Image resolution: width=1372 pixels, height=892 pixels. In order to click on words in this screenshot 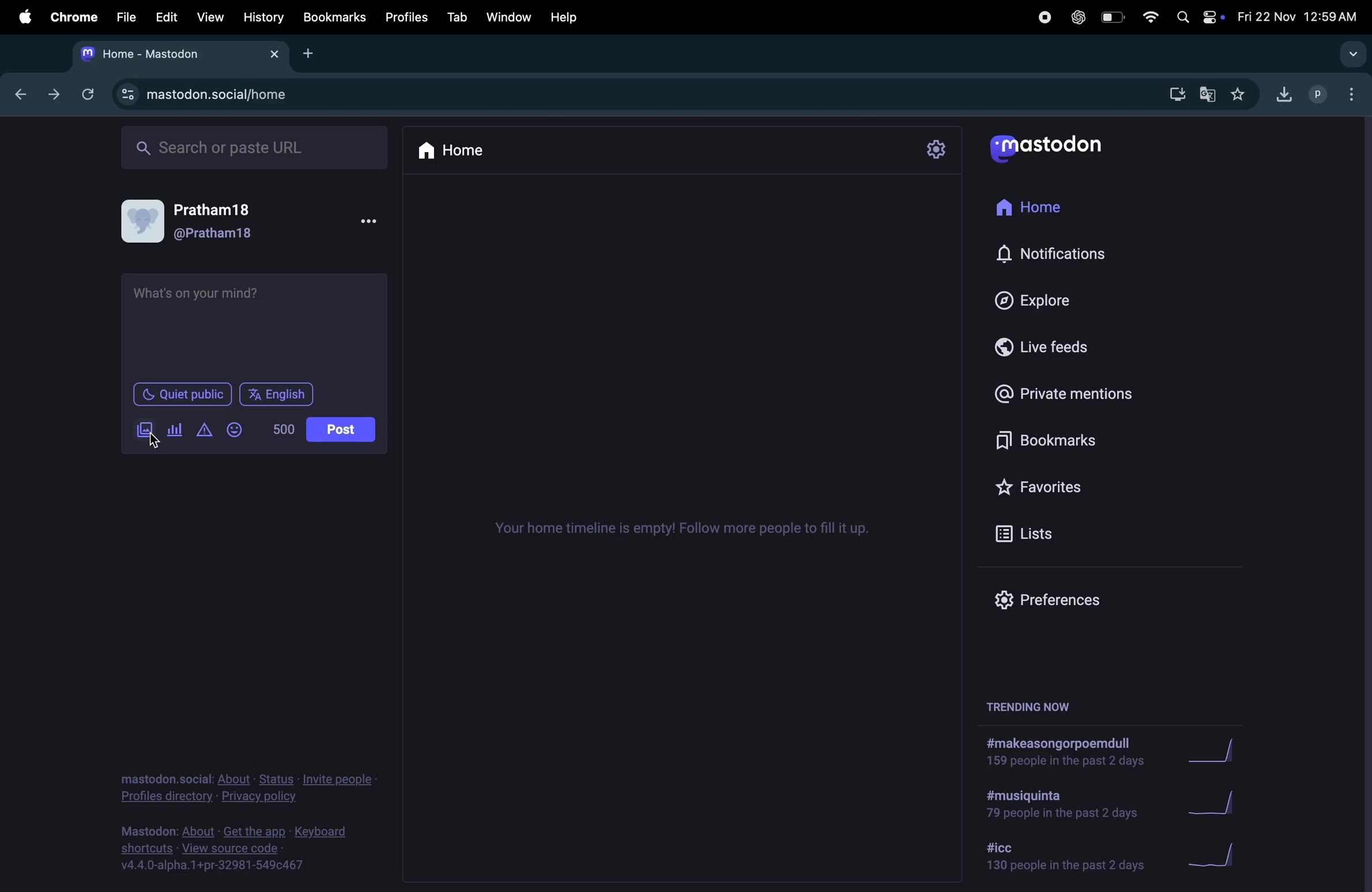, I will do `click(283, 428)`.